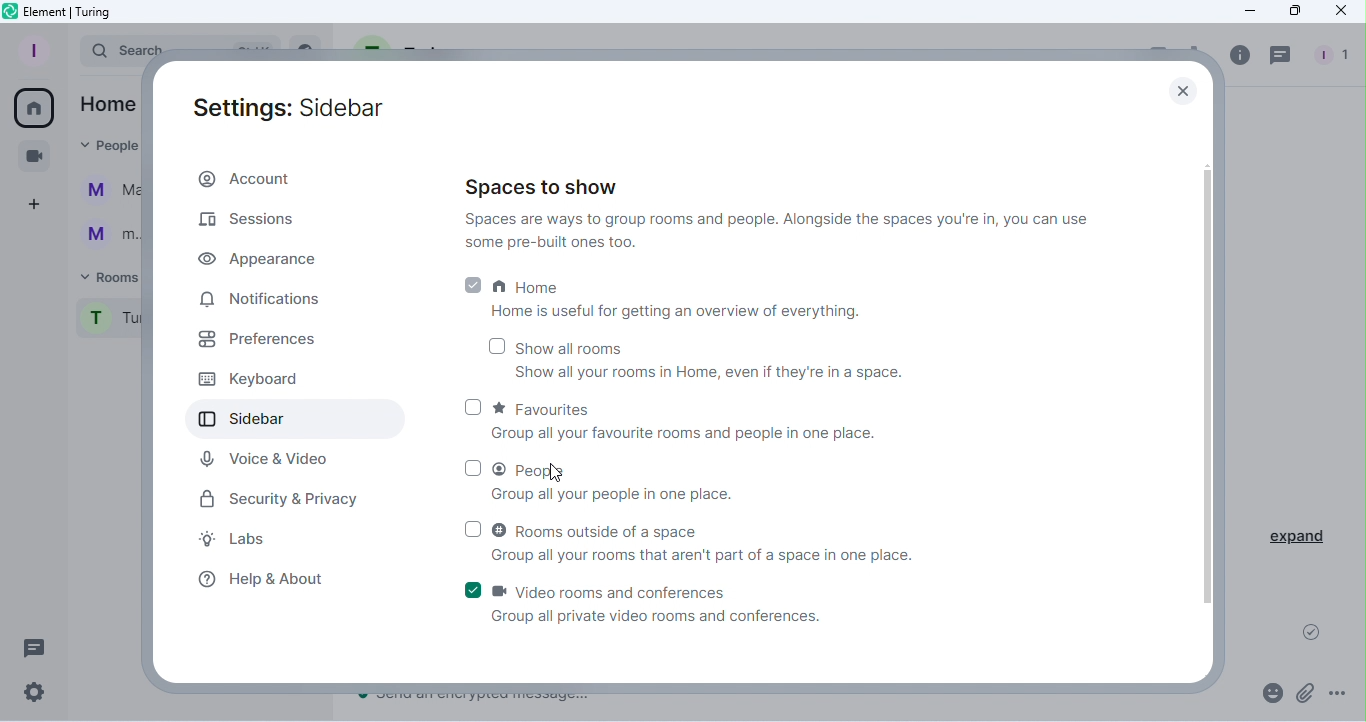  I want to click on Home, so click(667, 295).